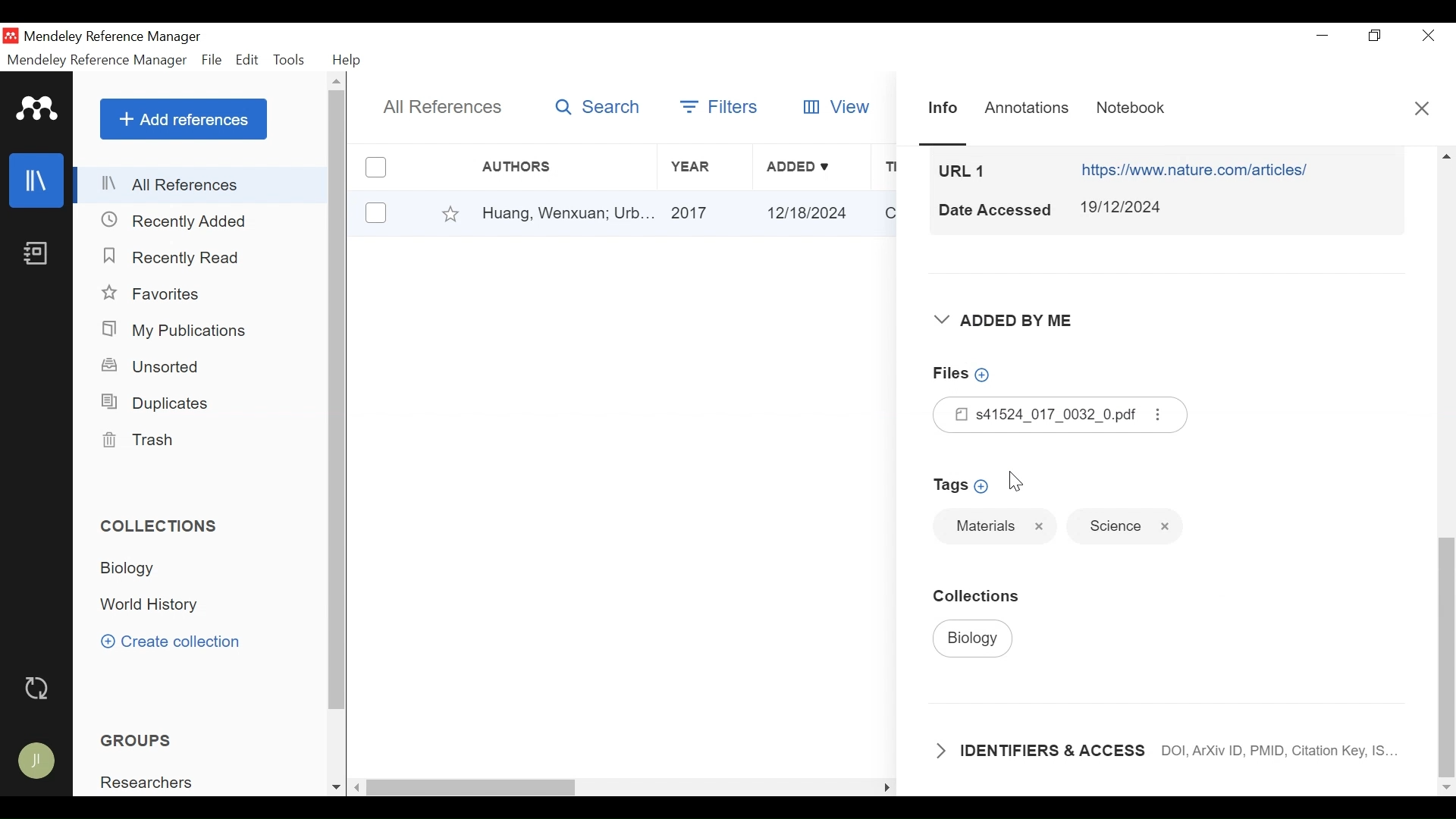  What do you see at coordinates (152, 366) in the screenshot?
I see `Unsorted` at bounding box center [152, 366].